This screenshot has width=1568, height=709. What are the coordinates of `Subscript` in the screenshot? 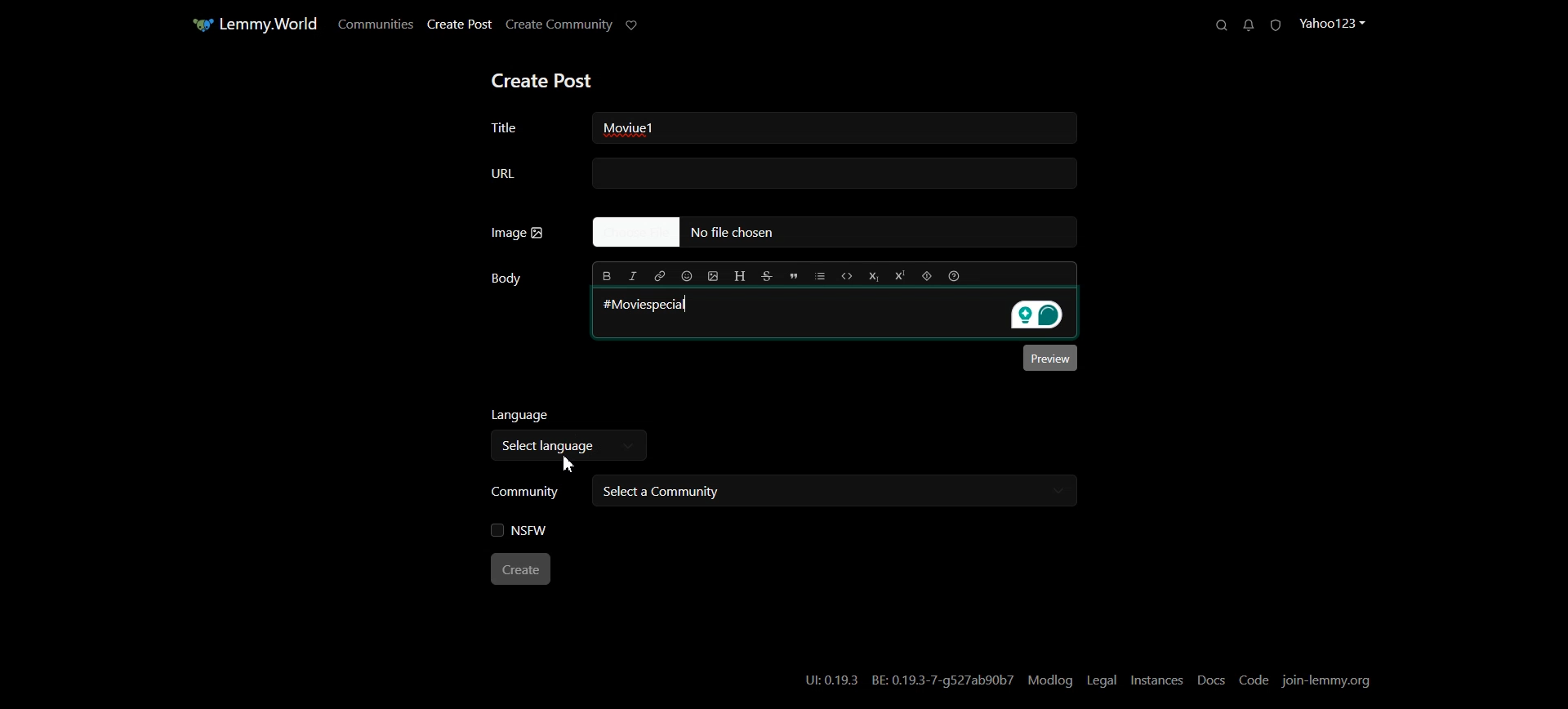 It's located at (875, 276).